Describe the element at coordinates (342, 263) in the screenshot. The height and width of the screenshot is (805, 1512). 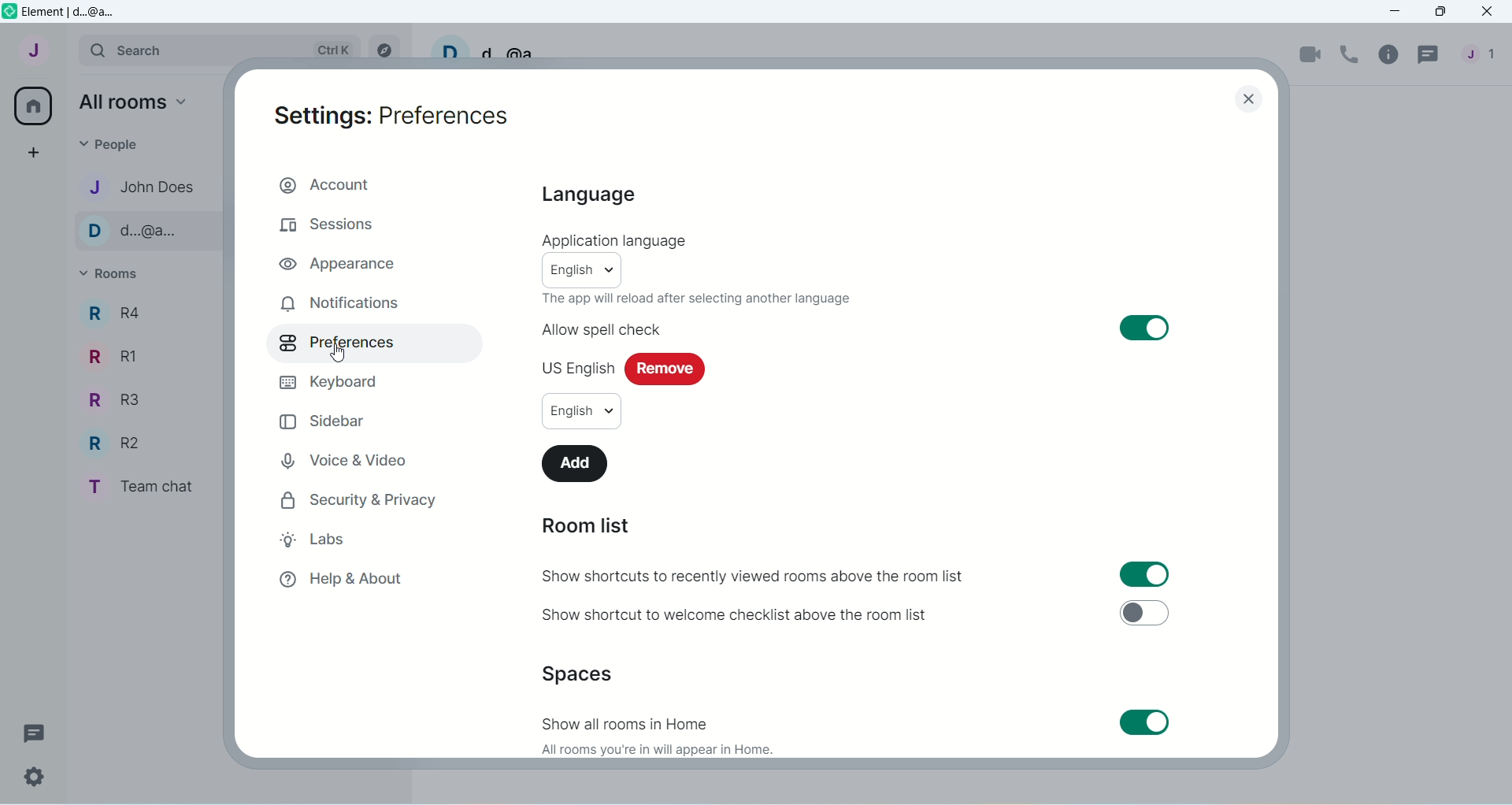
I see `Appearance` at that location.